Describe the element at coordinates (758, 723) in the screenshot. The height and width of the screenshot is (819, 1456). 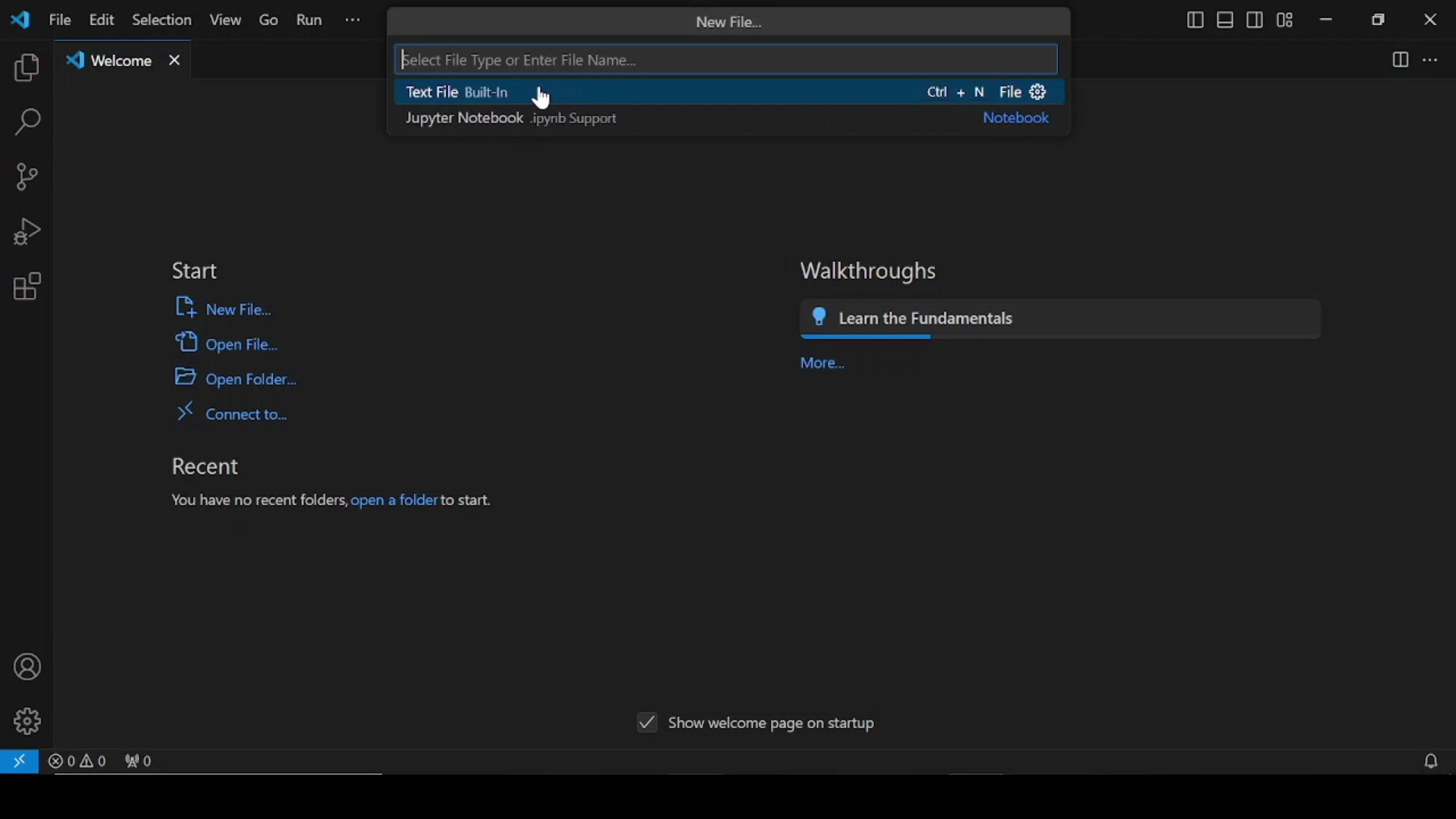
I see `show welcome pigeon startup` at that location.